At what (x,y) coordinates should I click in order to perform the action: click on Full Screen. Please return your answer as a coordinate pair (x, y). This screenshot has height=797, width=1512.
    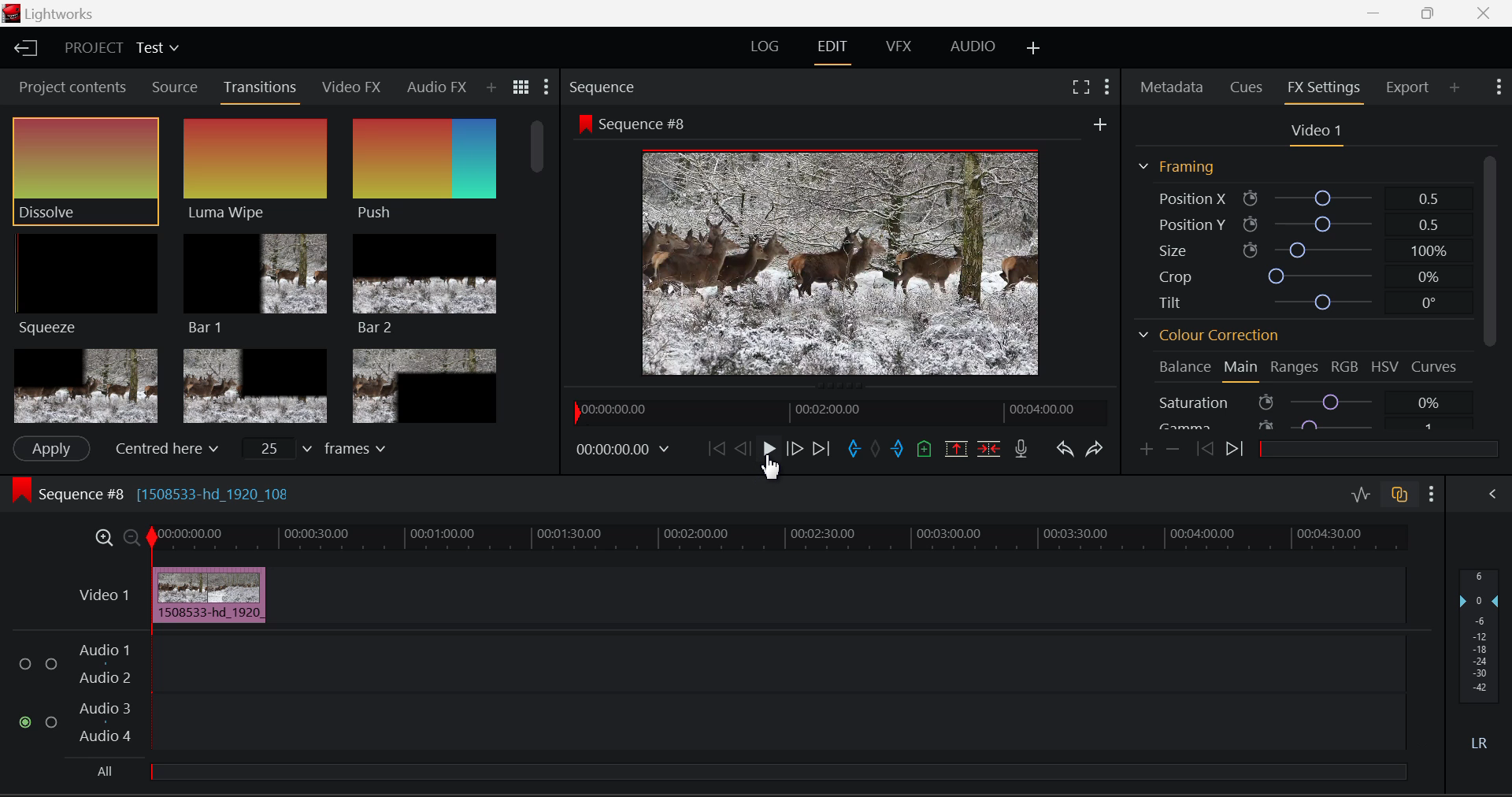
    Looking at the image, I should click on (1083, 87).